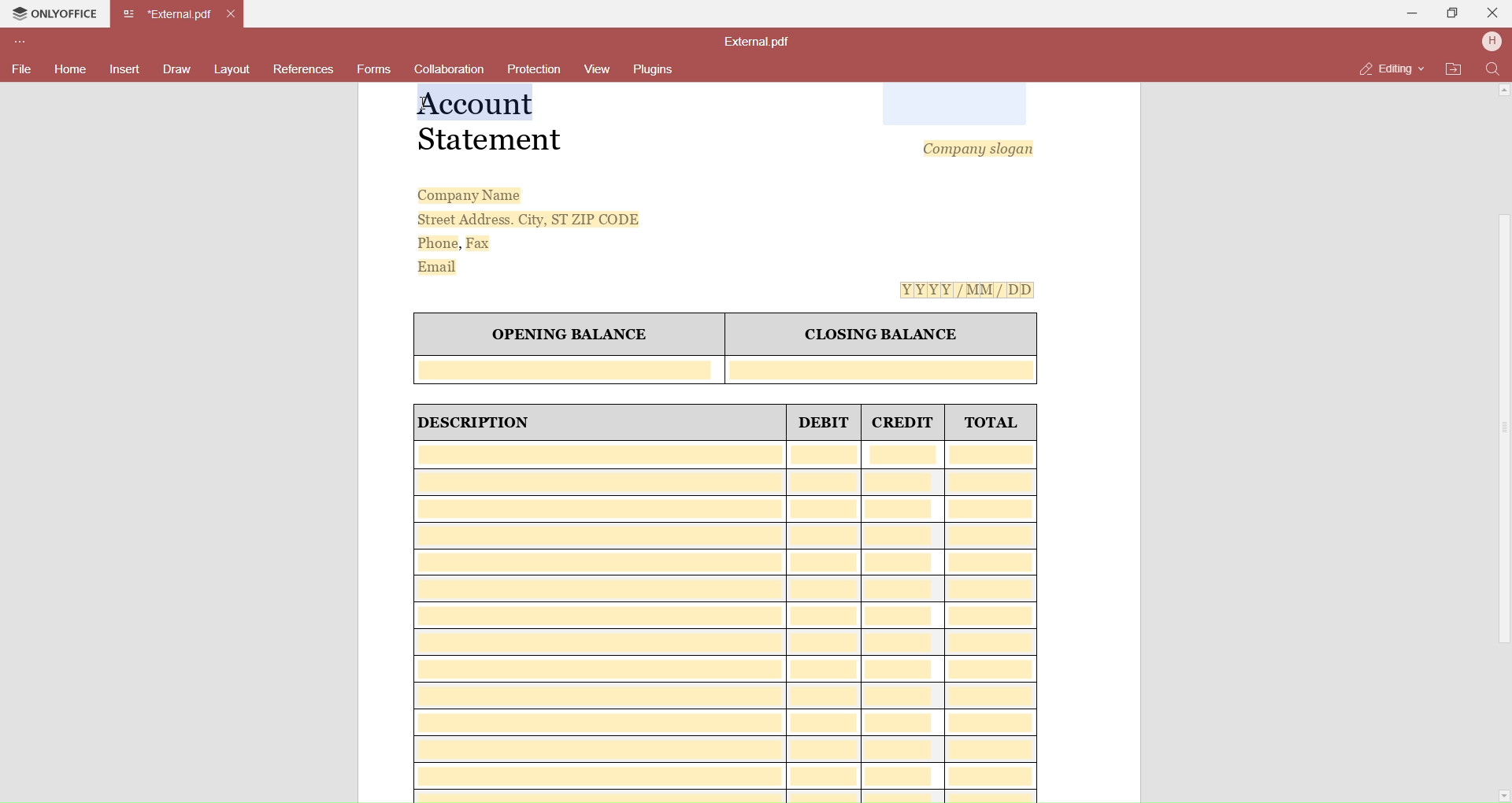 This screenshot has width=1512, height=803. Describe the element at coordinates (882, 336) in the screenshot. I see `CLOSING BALANCE` at that location.